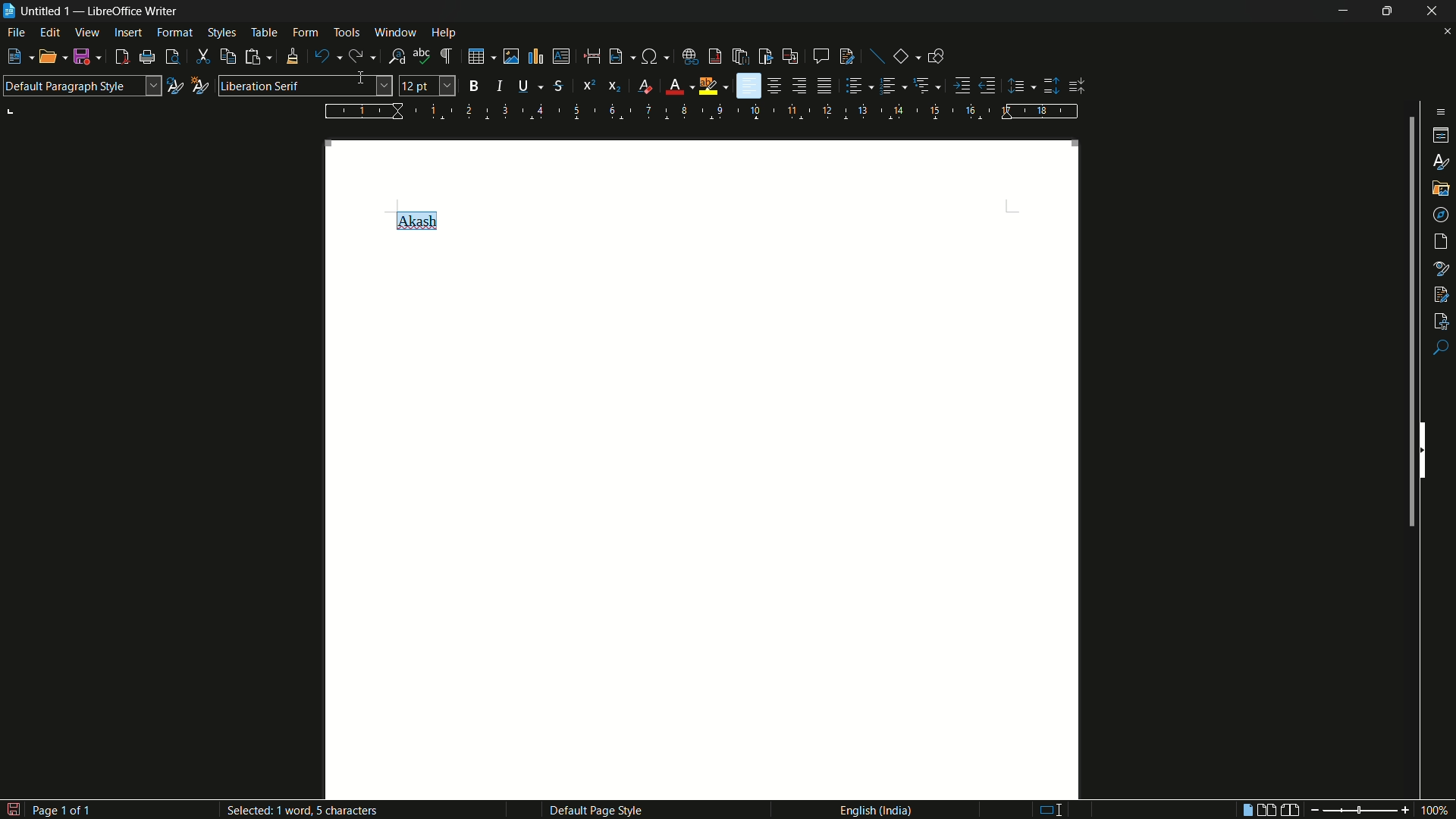  Describe the element at coordinates (81, 86) in the screenshot. I see `paragraph style` at that location.